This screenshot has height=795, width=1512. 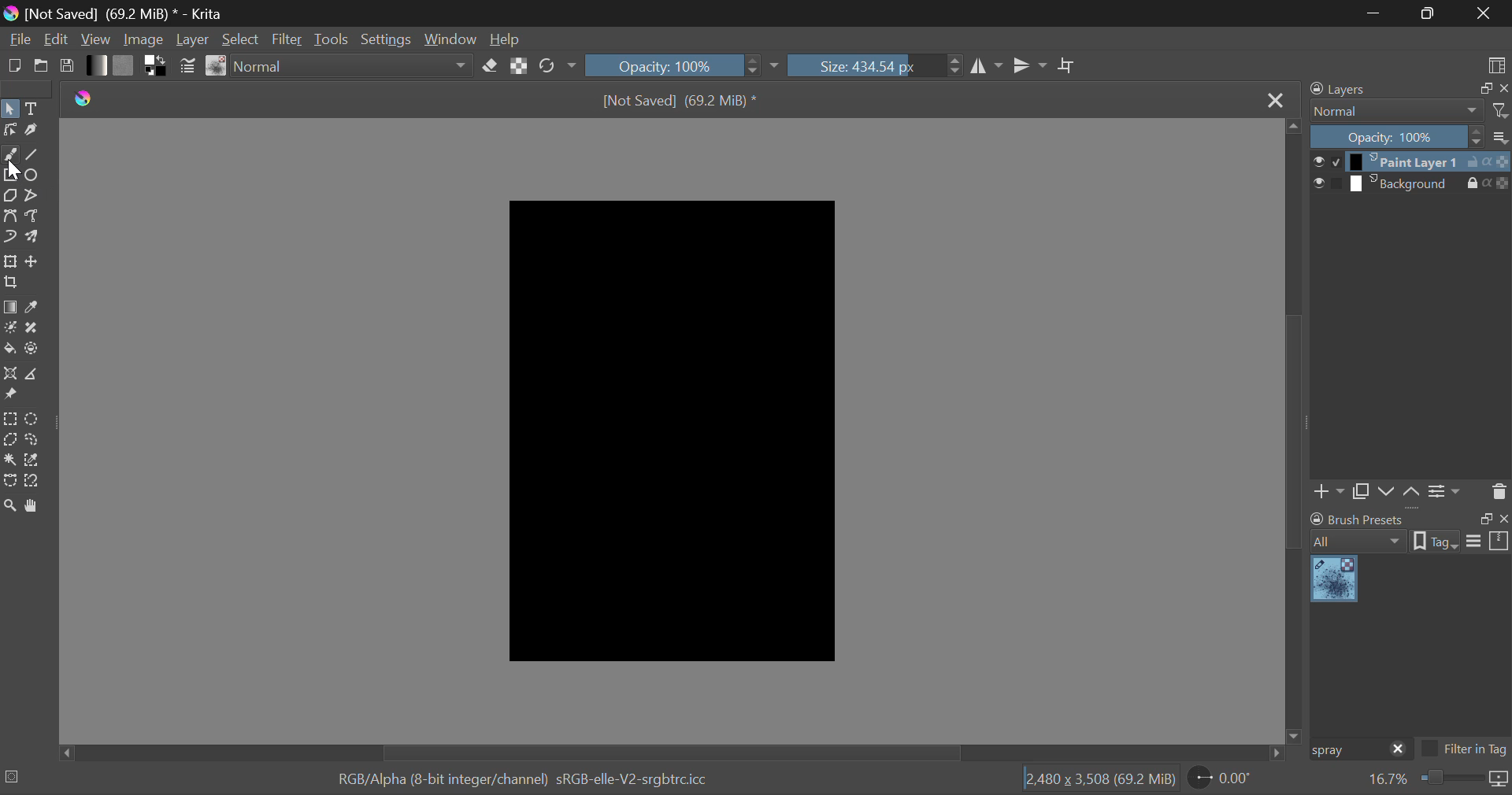 What do you see at coordinates (1483, 519) in the screenshot?
I see `restore` at bounding box center [1483, 519].